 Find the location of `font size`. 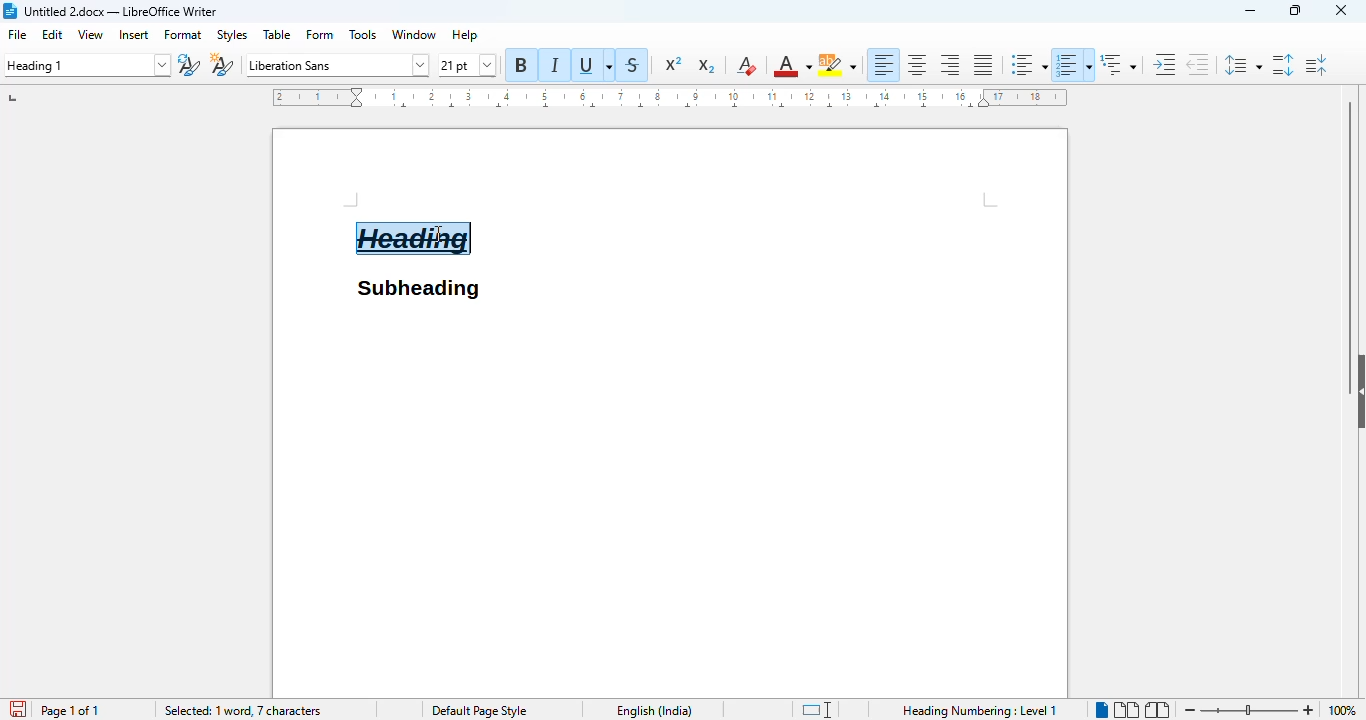

font size is located at coordinates (468, 66).